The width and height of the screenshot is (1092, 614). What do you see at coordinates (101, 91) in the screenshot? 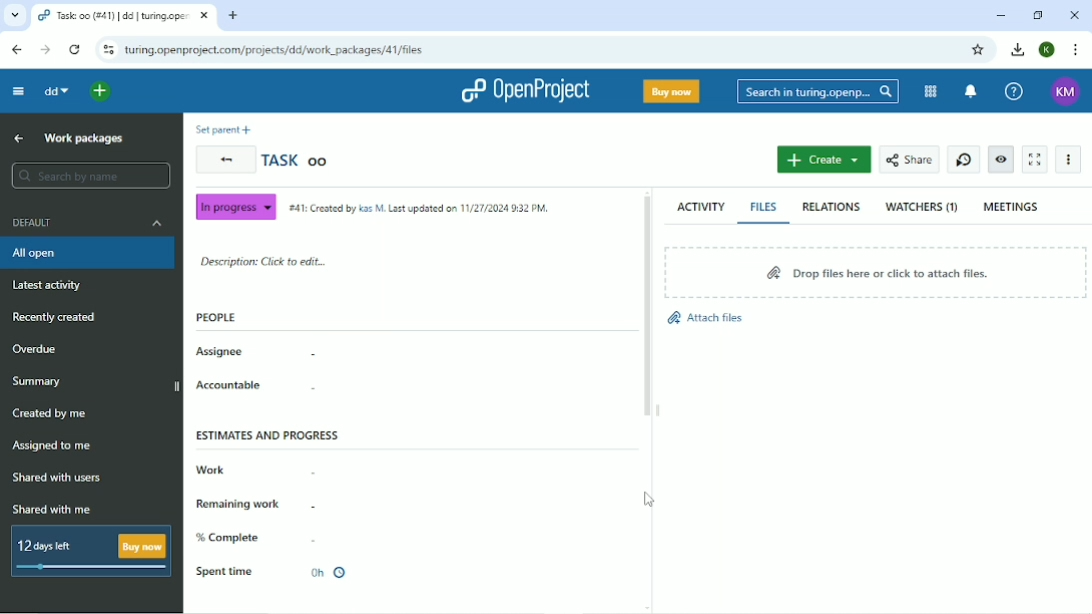
I see `Open quick add menu` at bounding box center [101, 91].